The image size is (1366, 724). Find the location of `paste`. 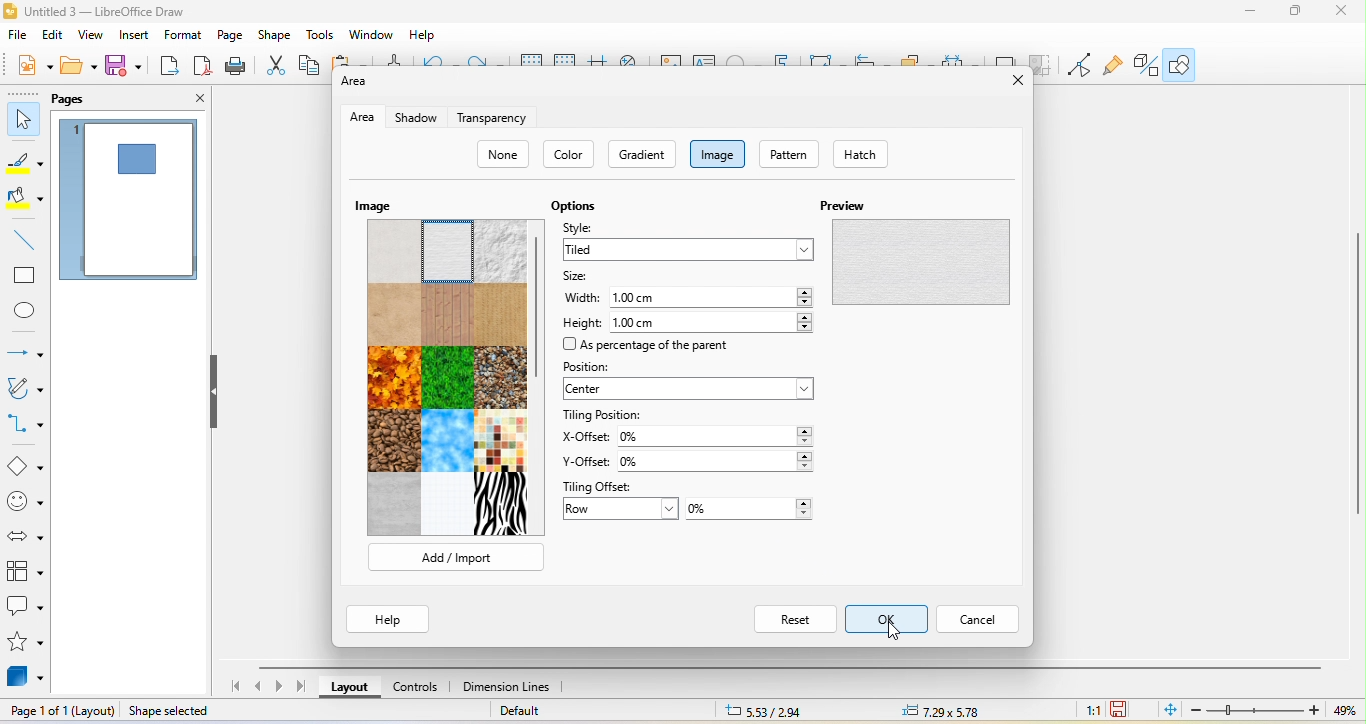

paste is located at coordinates (353, 62).